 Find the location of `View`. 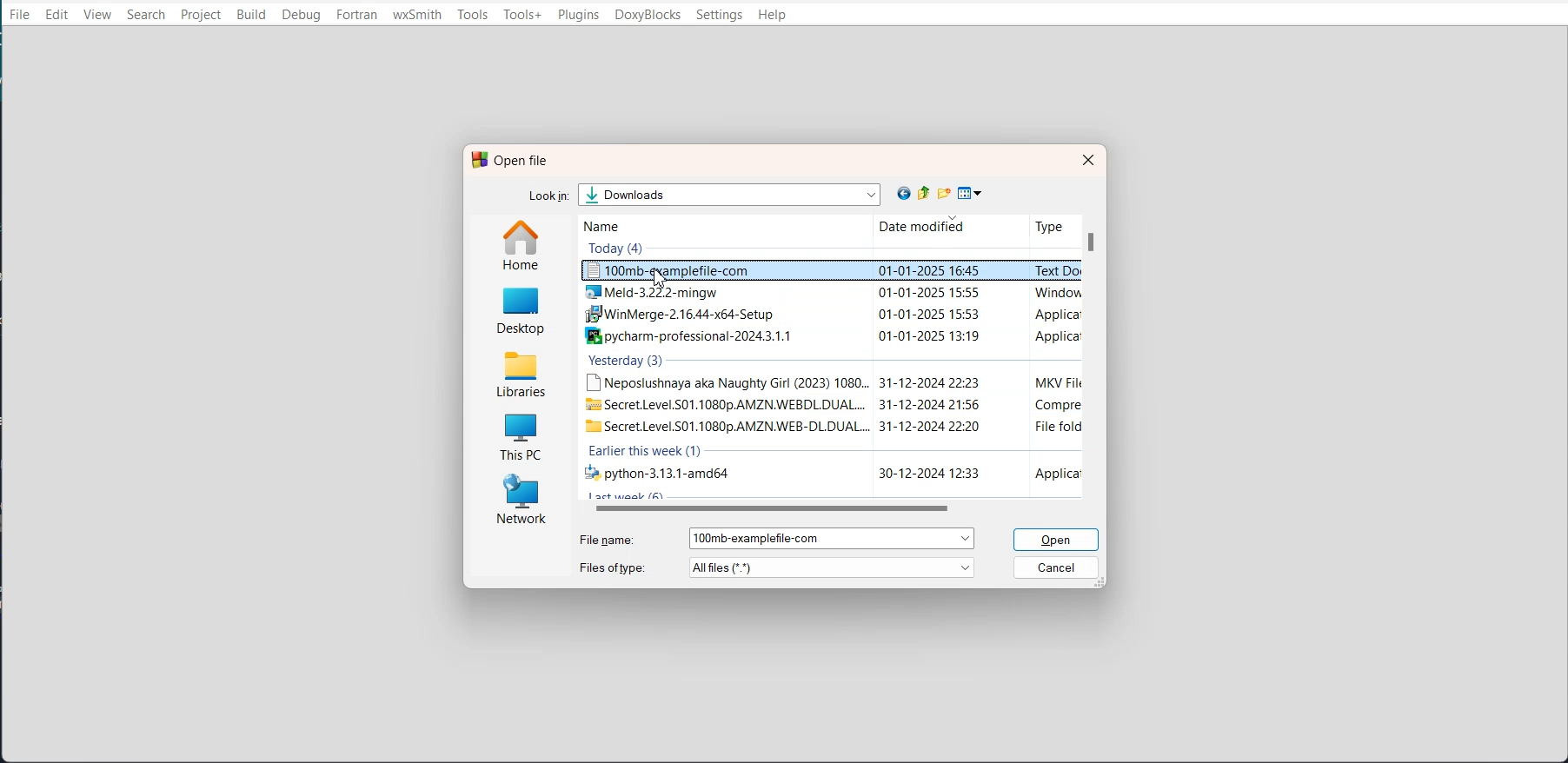

View is located at coordinates (100, 14).